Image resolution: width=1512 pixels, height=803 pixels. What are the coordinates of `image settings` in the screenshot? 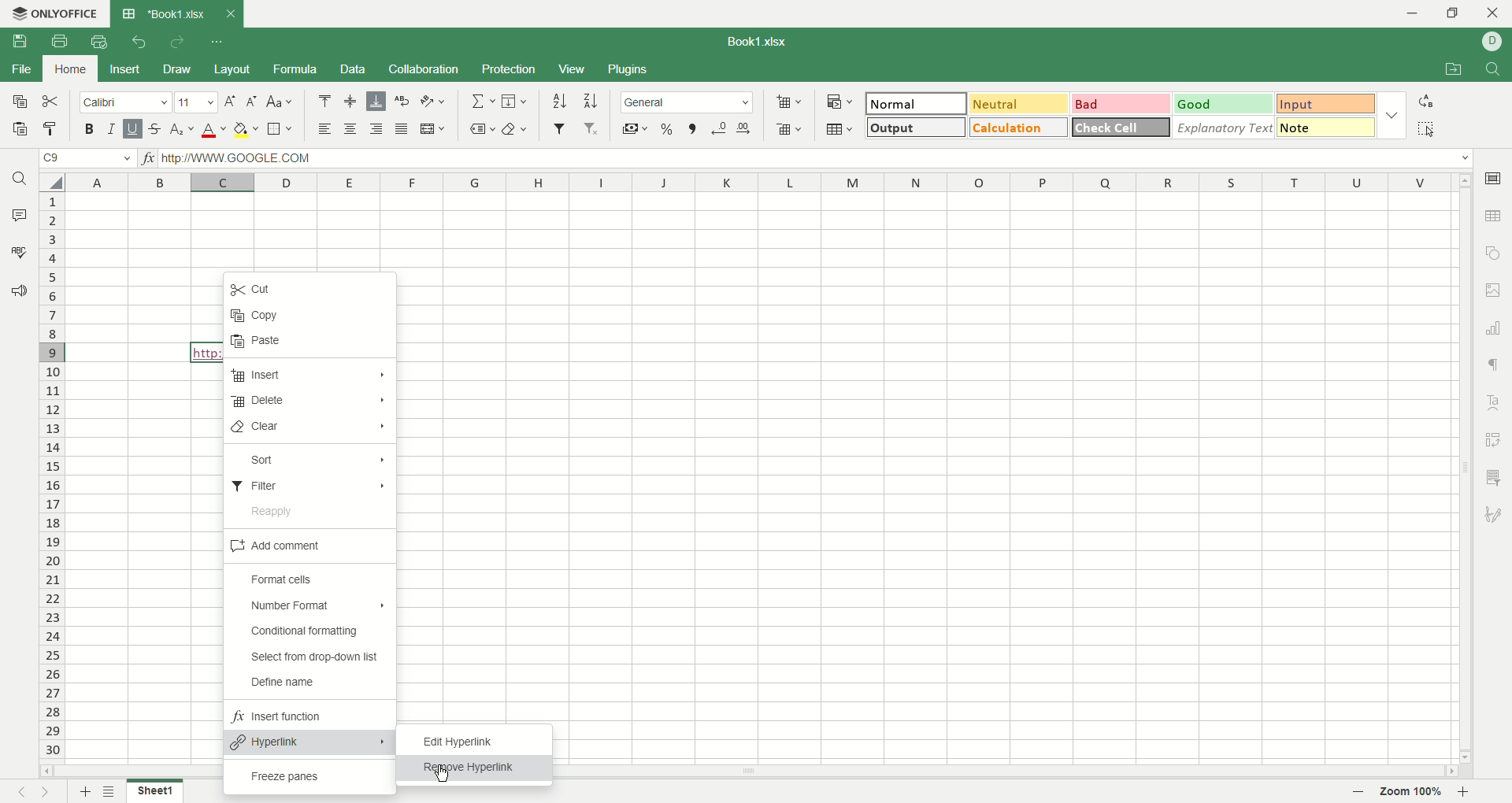 It's located at (1495, 290).